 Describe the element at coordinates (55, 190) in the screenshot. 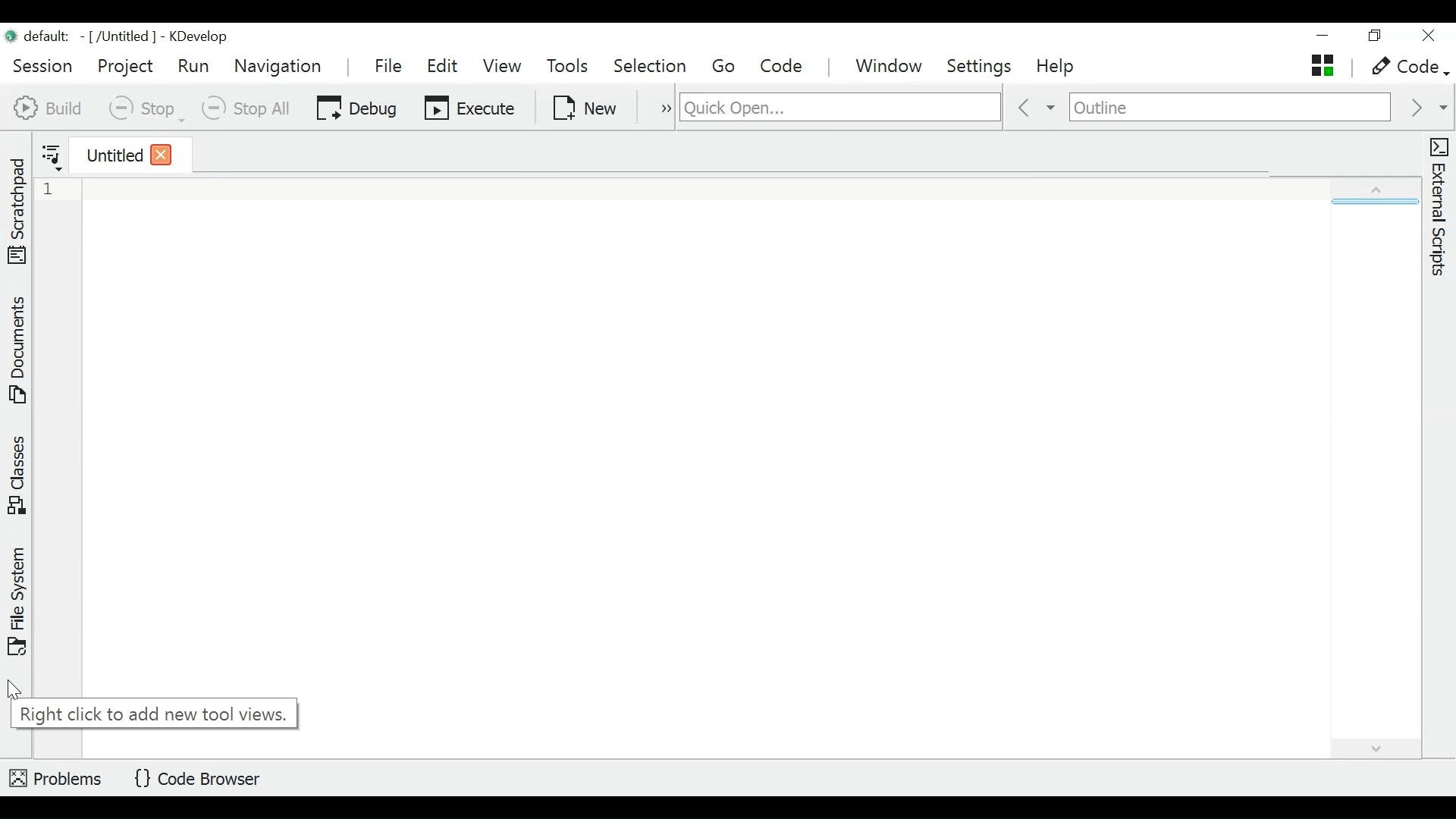

I see `1` at that location.